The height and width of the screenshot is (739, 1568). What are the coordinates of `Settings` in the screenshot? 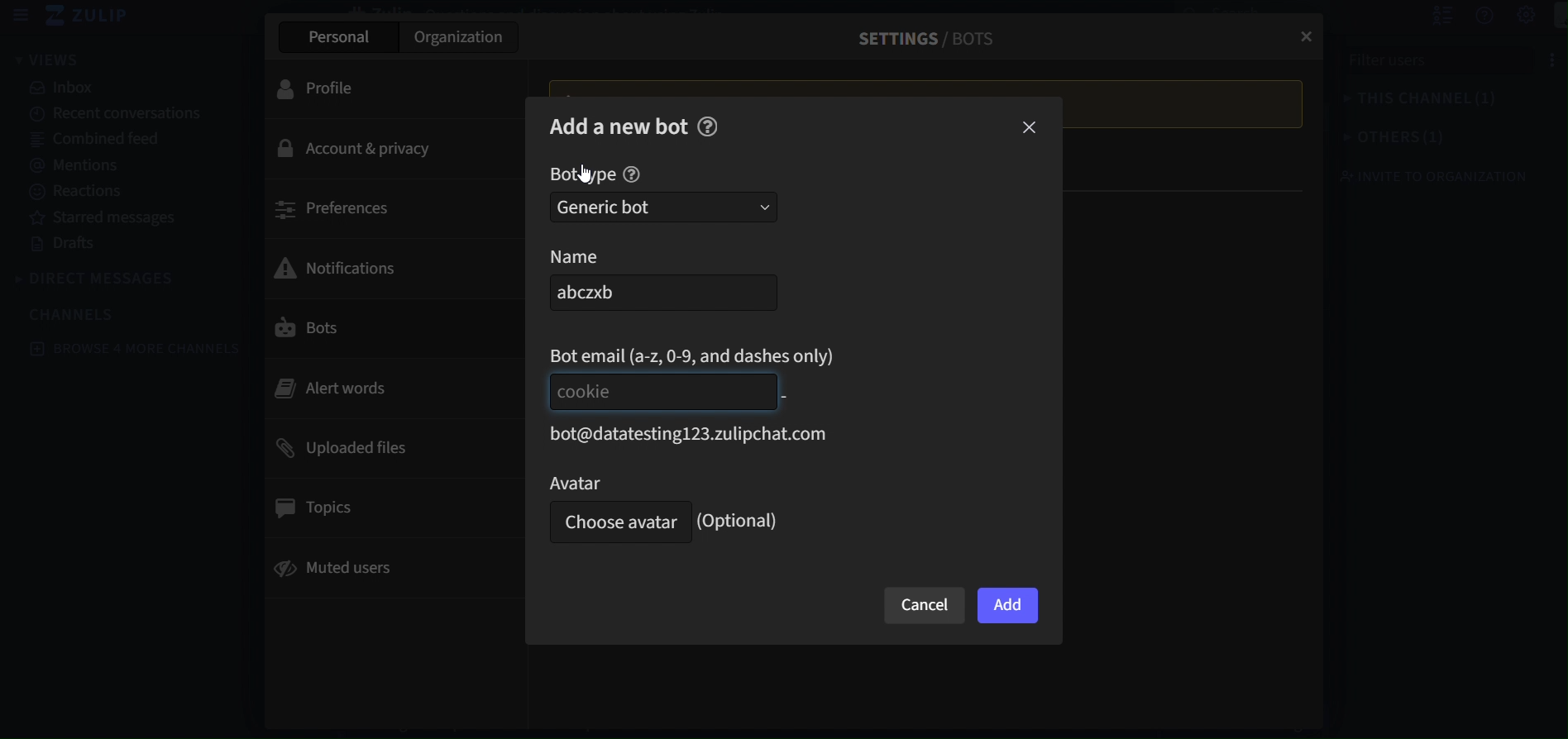 It's located at (1509, 16).